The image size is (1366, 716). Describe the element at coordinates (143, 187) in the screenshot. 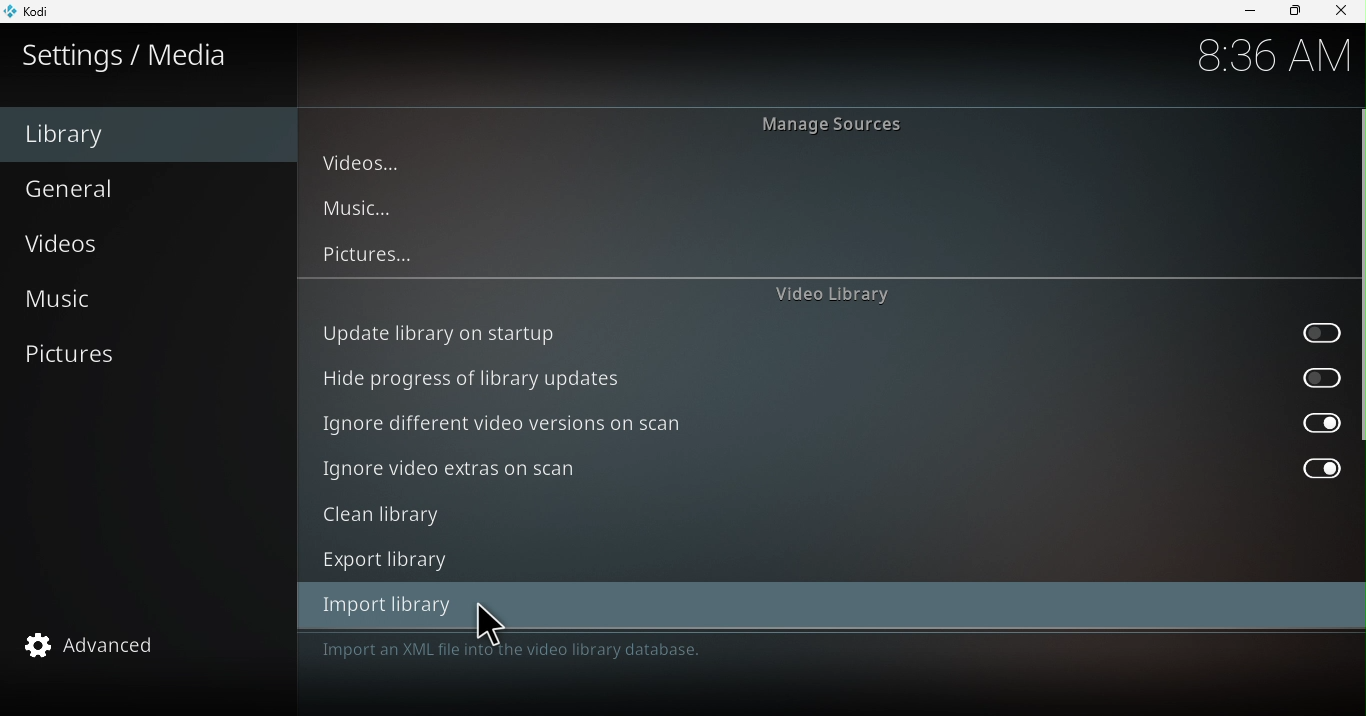

I see `General` at that location.